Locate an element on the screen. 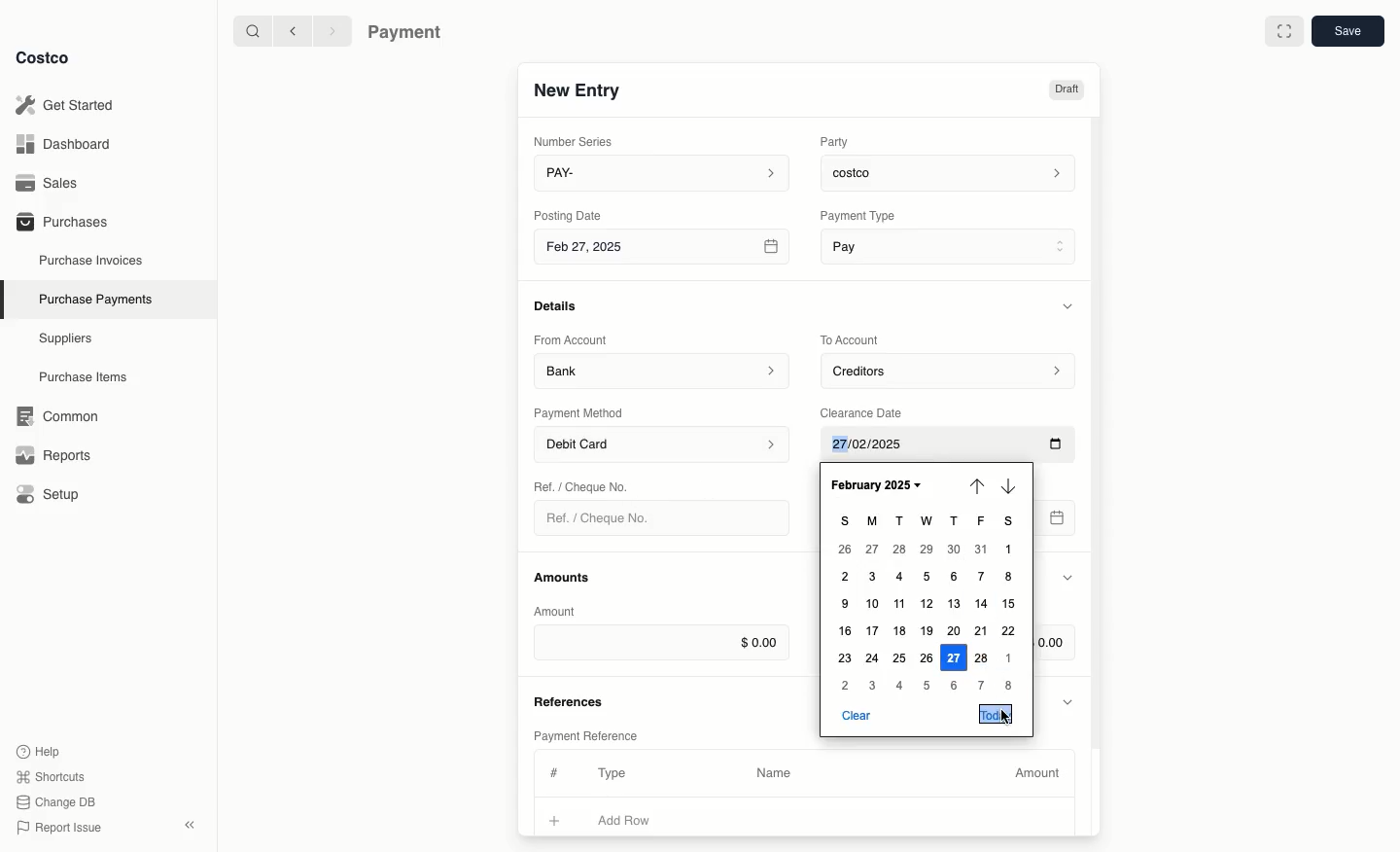  Purchase Items is located at coordinates (86, 377).